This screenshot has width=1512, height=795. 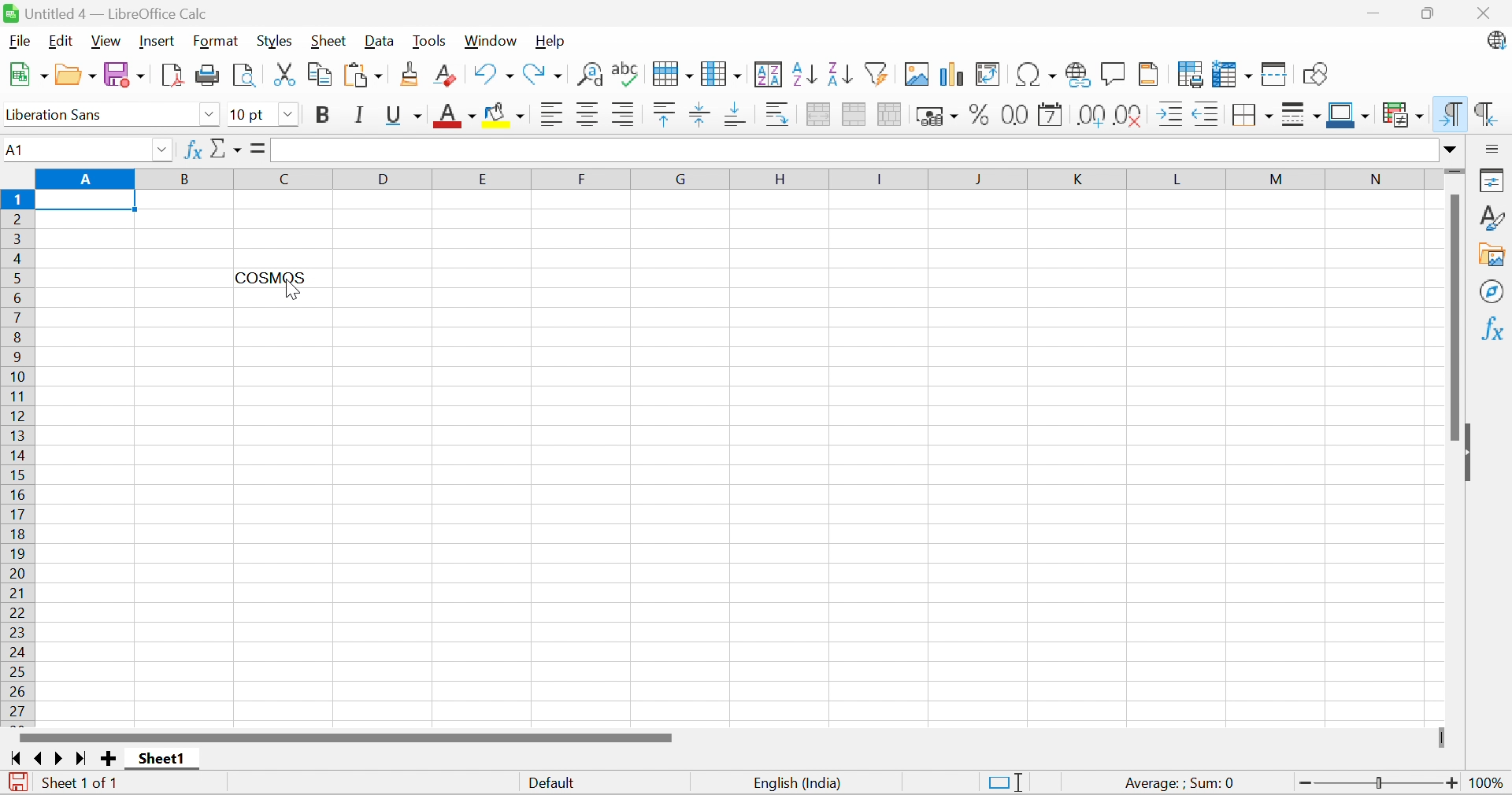 What do you see at coordinates (494, 74) in the screenshot?
I see `Undo` at bounding box center [494, 74].